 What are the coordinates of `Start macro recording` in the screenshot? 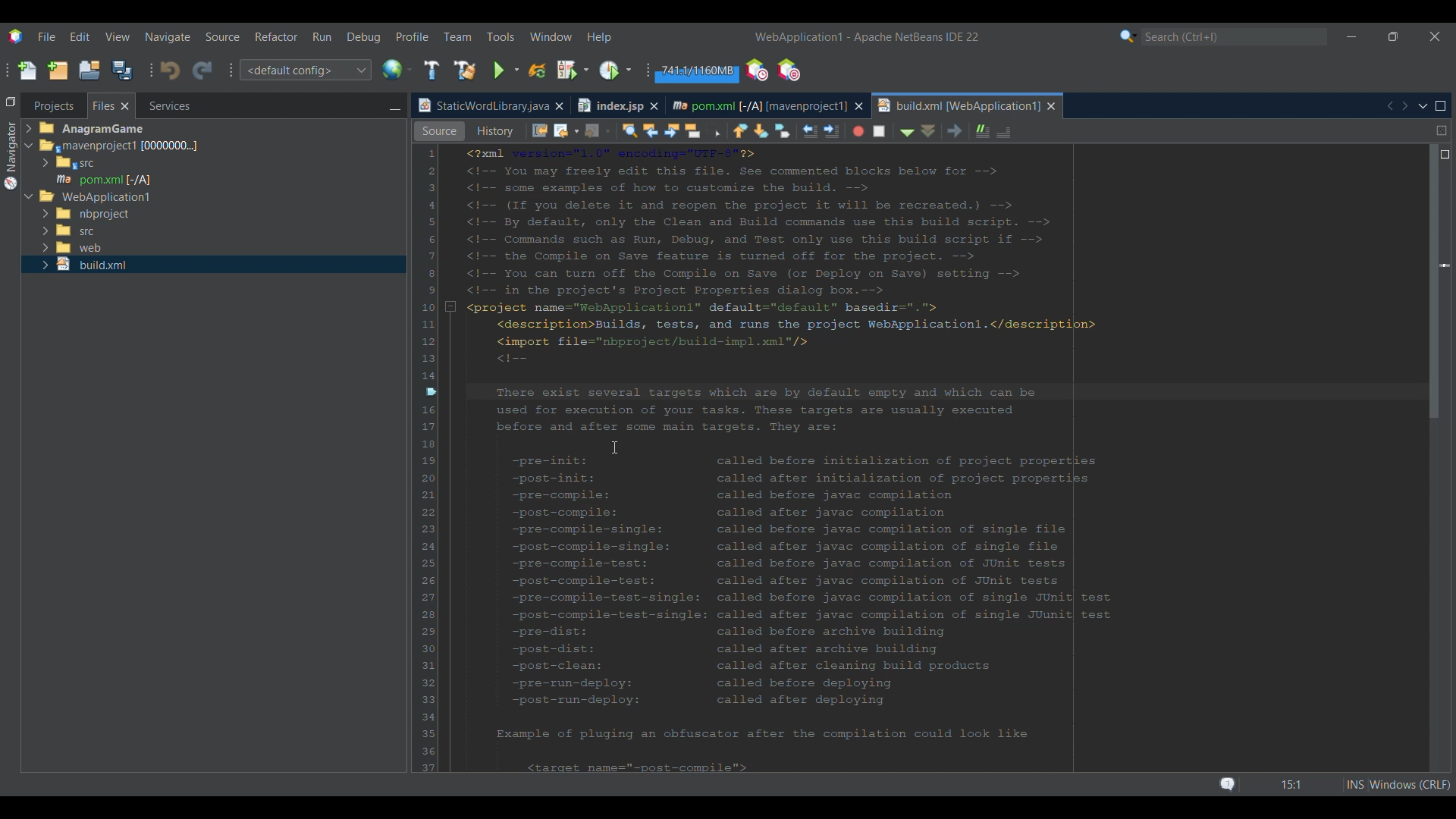 It's located at (993, 132).